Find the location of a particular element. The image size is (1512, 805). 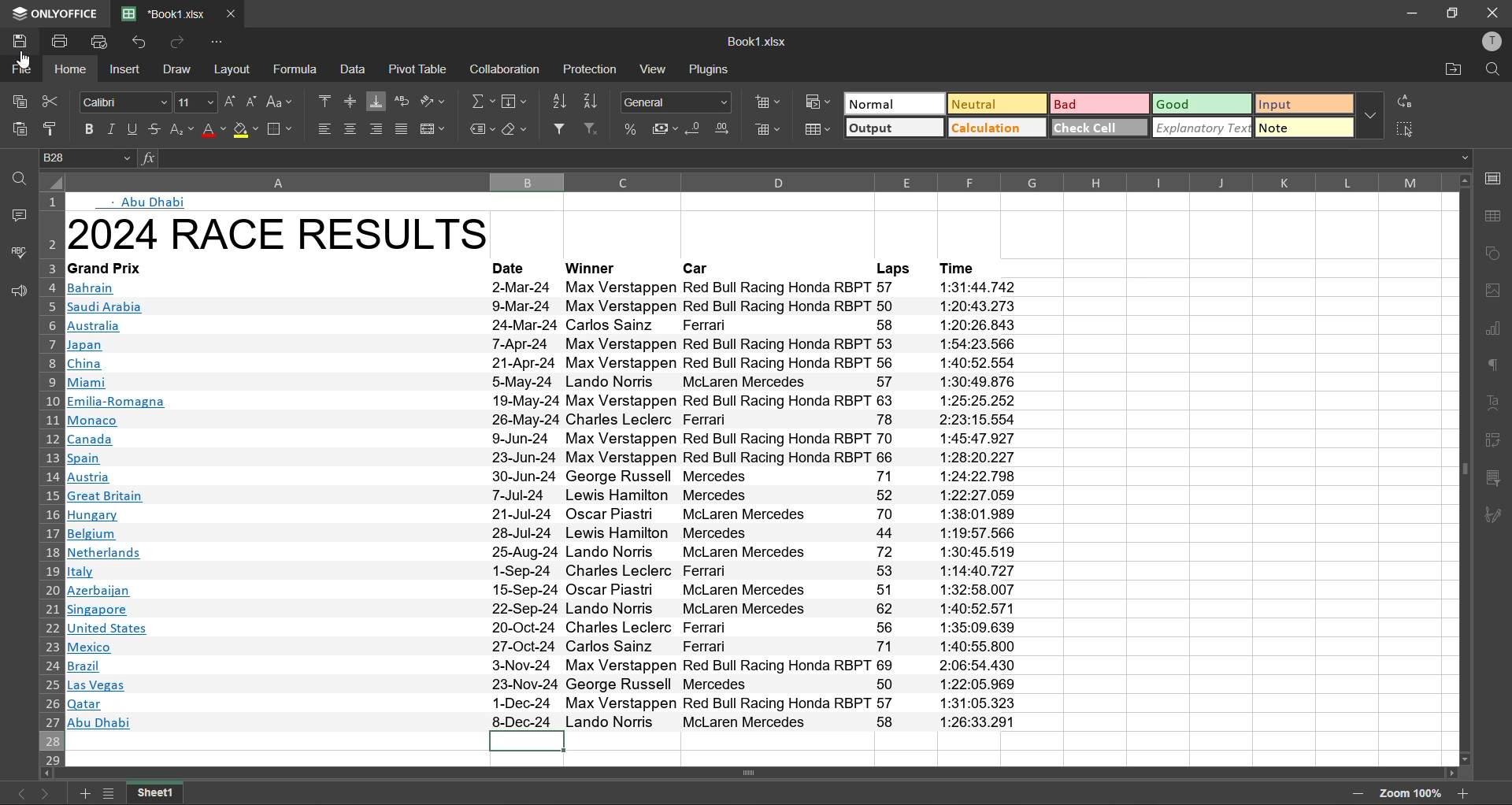

input is located at coordinates (1304, 103).